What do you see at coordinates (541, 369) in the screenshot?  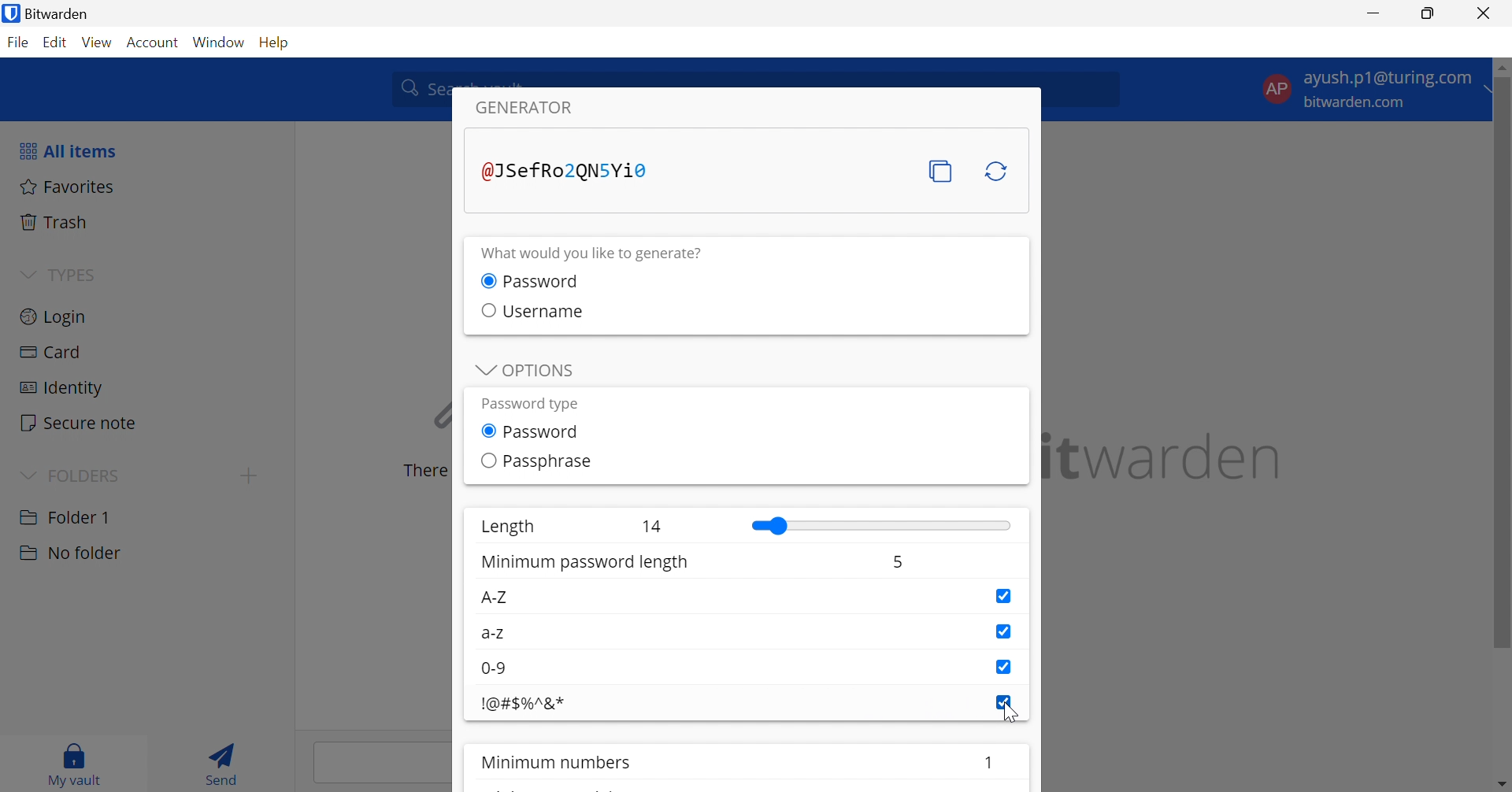 I see `` at bounding box center [541, 369].